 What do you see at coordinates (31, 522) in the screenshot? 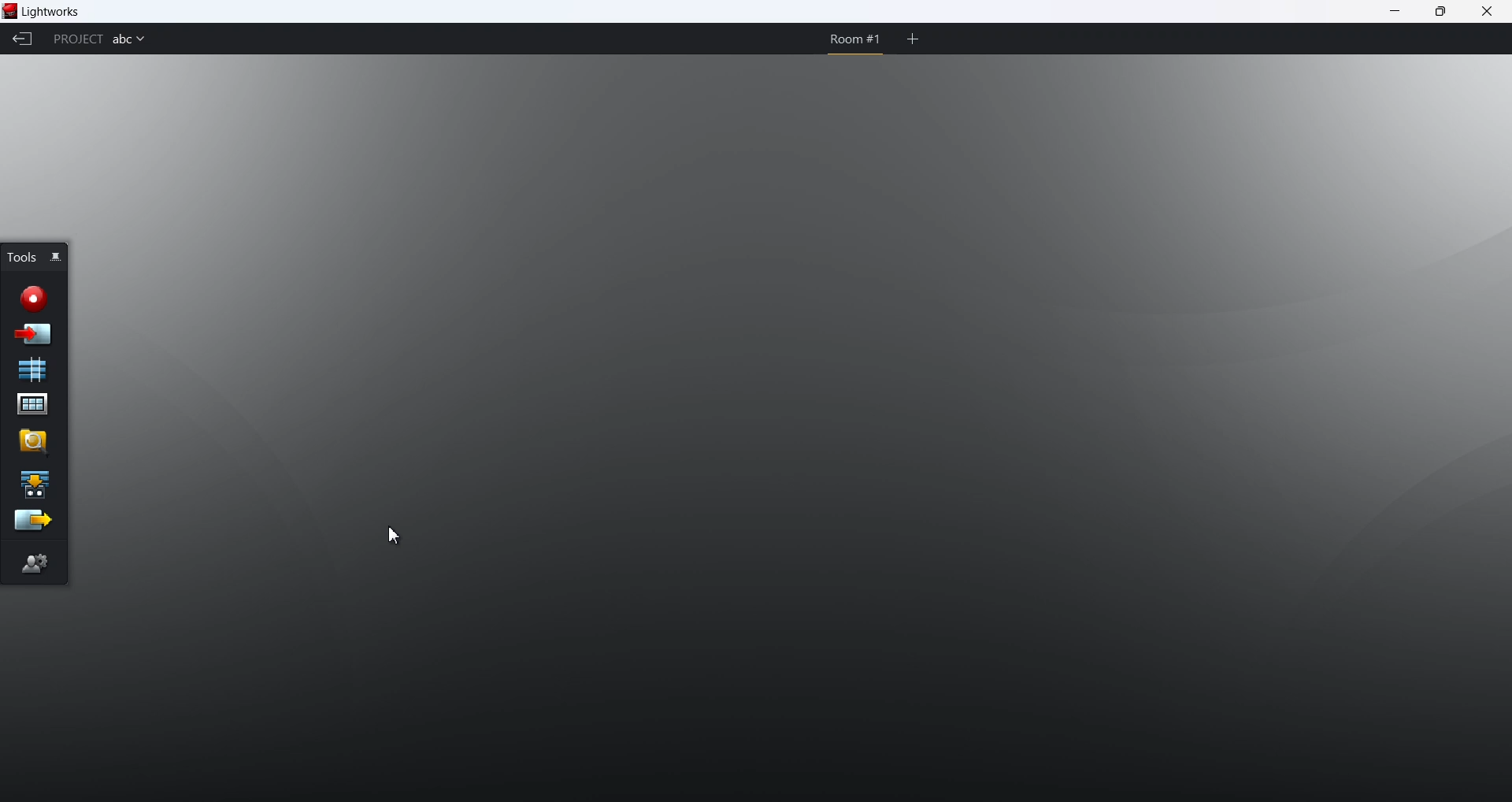
I see `export sequence` at bounding box center [31, 522].